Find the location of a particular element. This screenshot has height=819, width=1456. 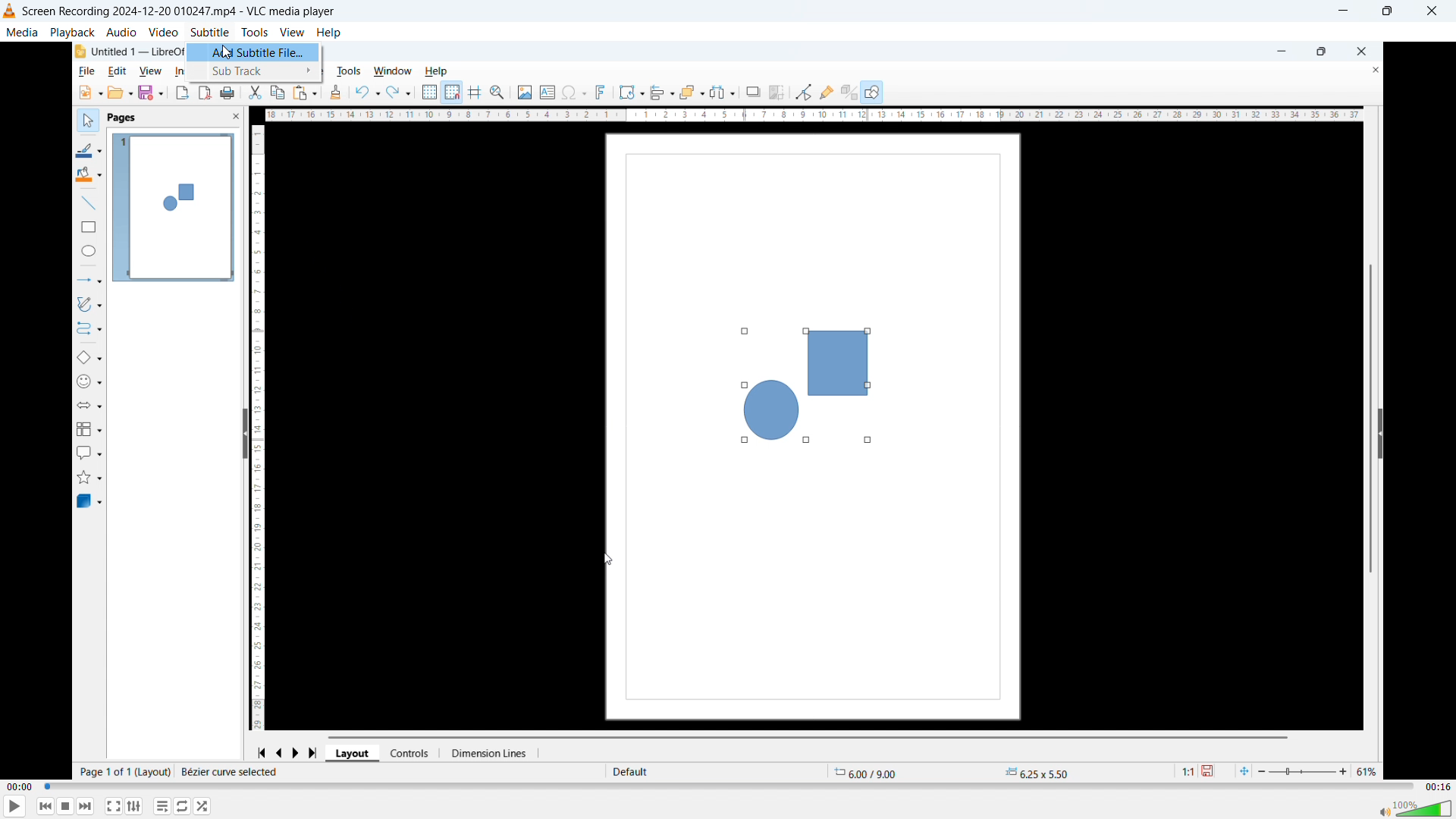

pages is located at coordinates (123, 119).